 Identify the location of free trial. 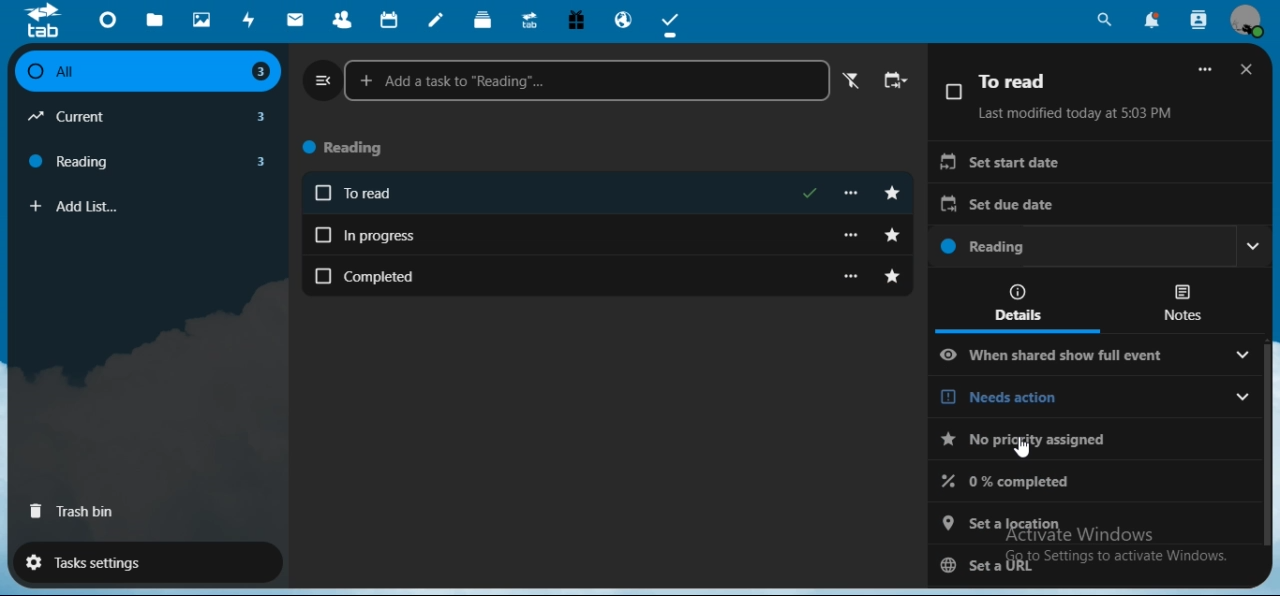
(577, 19).